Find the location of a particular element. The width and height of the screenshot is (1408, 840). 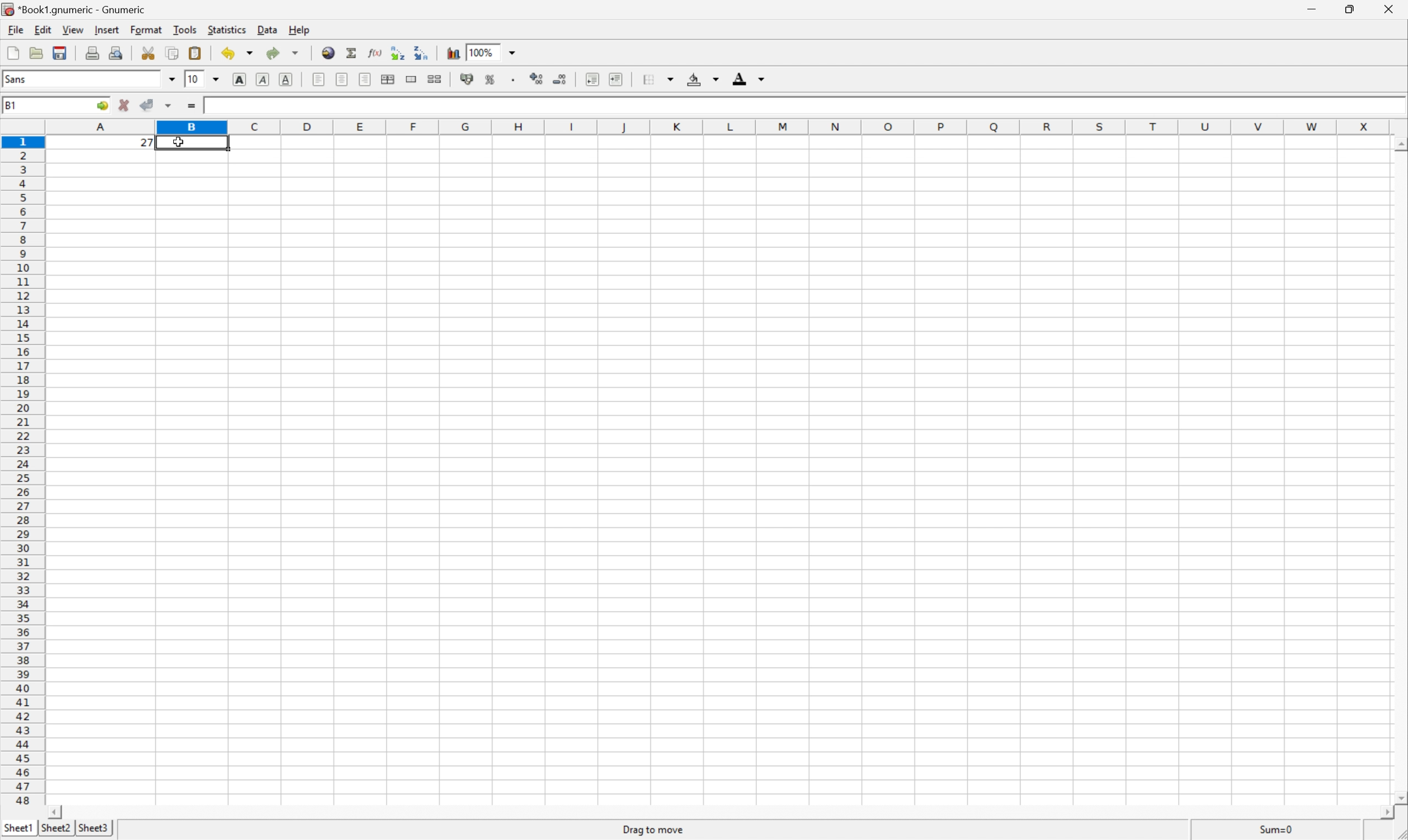

Column names is located at coordinates (721, 124).